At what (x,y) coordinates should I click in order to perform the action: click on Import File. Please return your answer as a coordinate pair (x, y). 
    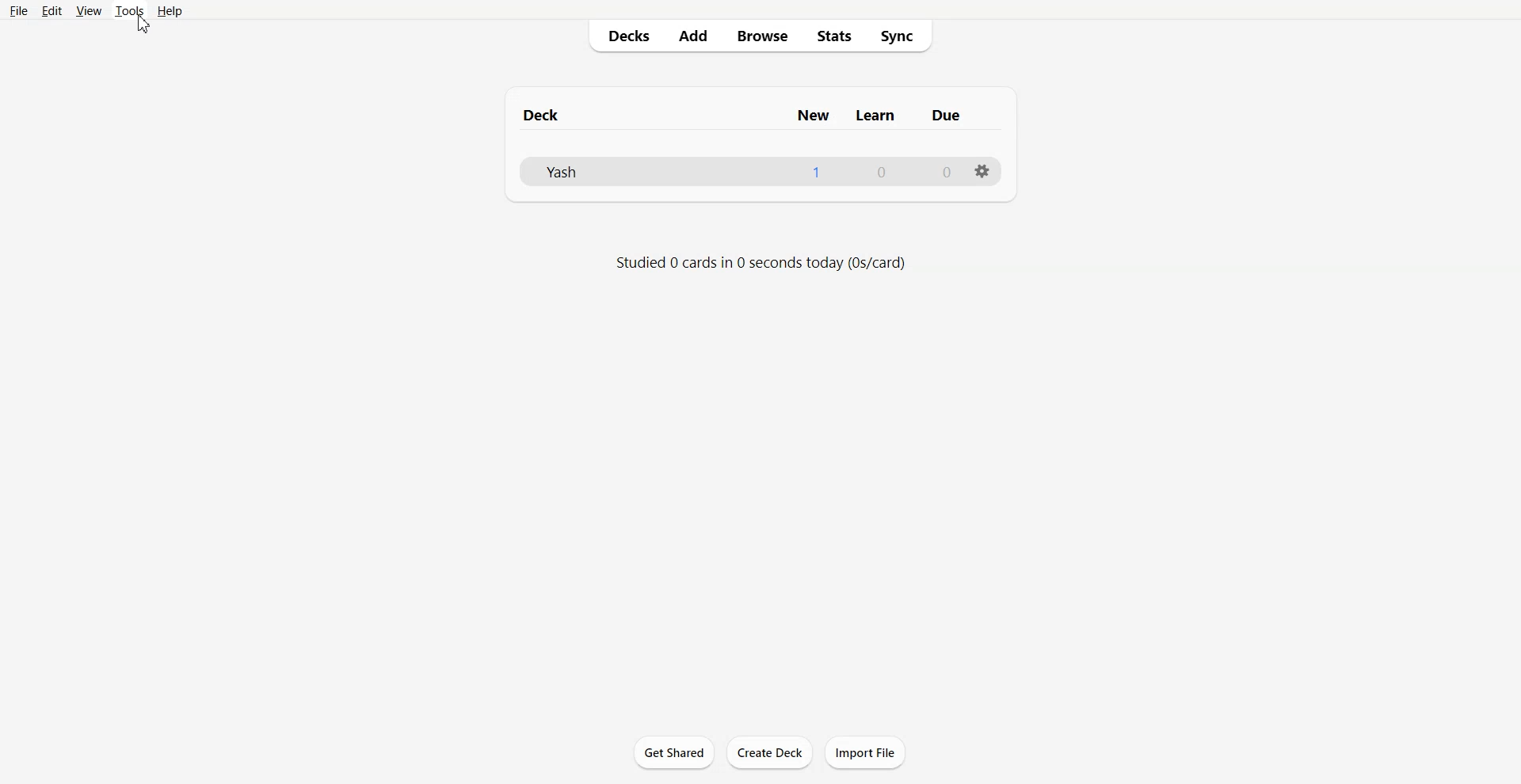
    Looking at the image, I should click on (867, 752).